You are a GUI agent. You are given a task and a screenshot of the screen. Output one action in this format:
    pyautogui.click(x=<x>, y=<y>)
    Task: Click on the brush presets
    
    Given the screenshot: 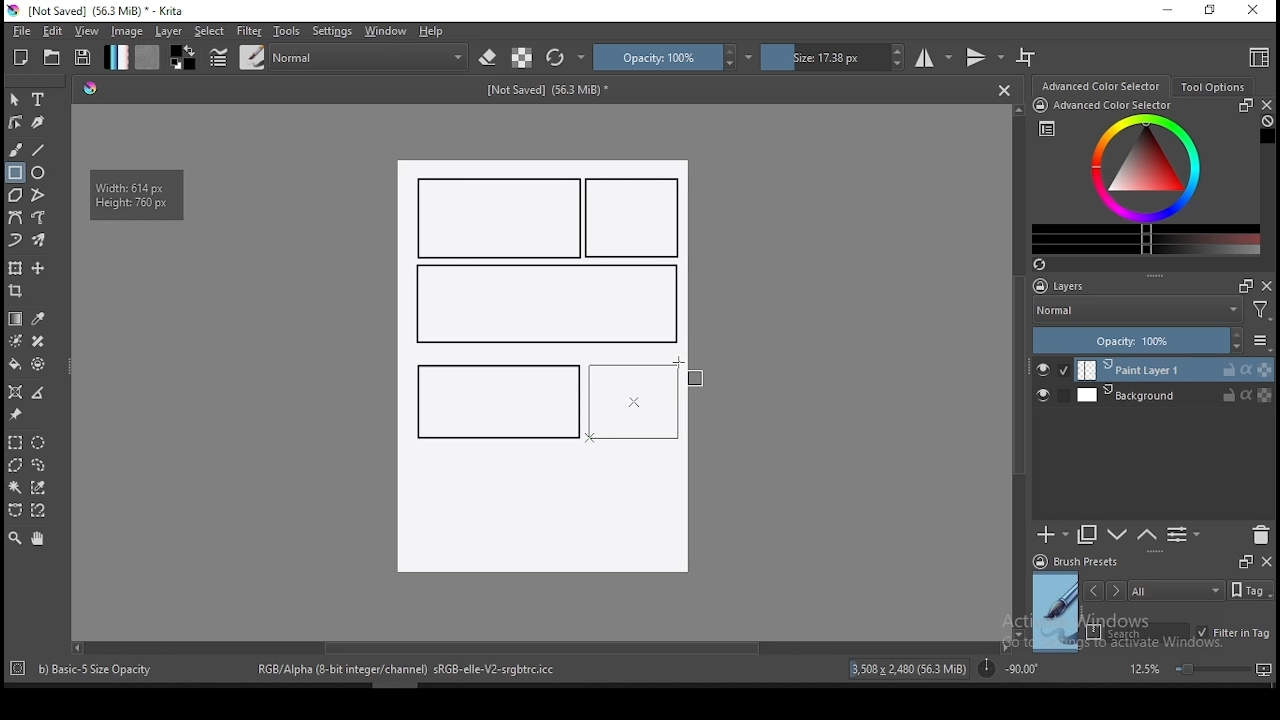 What is the action you would take?
    pyautogui.click(x=1082, y=562)
    